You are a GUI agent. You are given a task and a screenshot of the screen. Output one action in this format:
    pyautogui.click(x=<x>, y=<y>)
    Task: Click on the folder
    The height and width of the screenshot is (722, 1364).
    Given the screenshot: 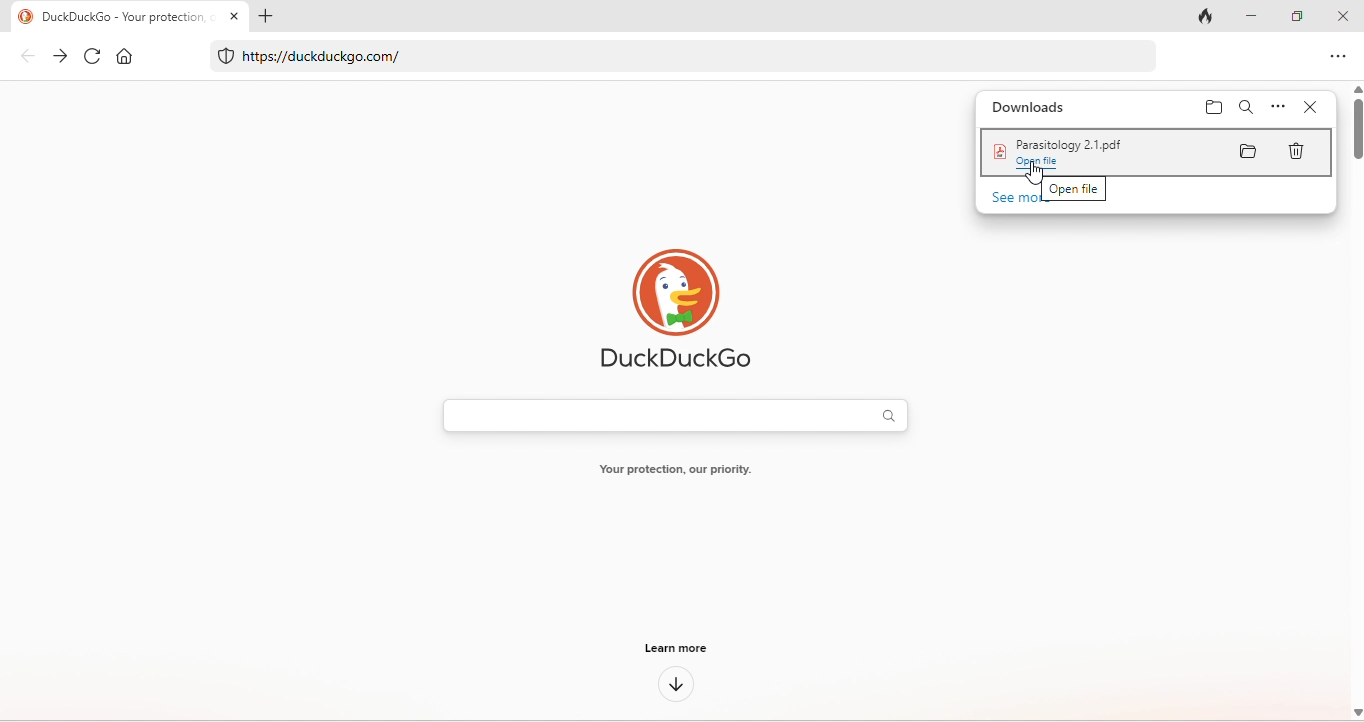 What is the action you would take?
    pyautogui.click(x=1250, y=153)
    